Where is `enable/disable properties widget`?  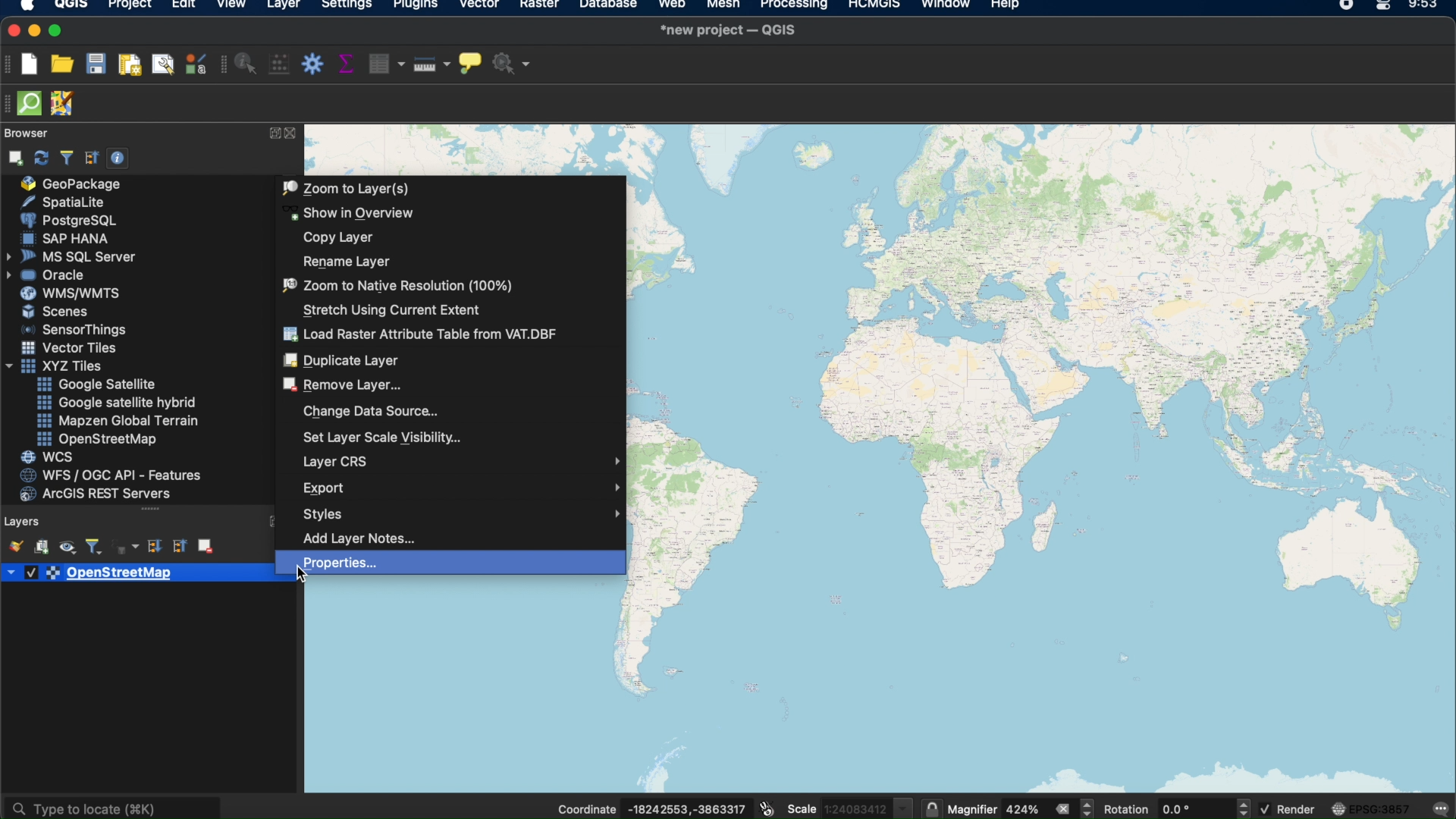 enable/disable properties widget is located at coordinates (118, 158).